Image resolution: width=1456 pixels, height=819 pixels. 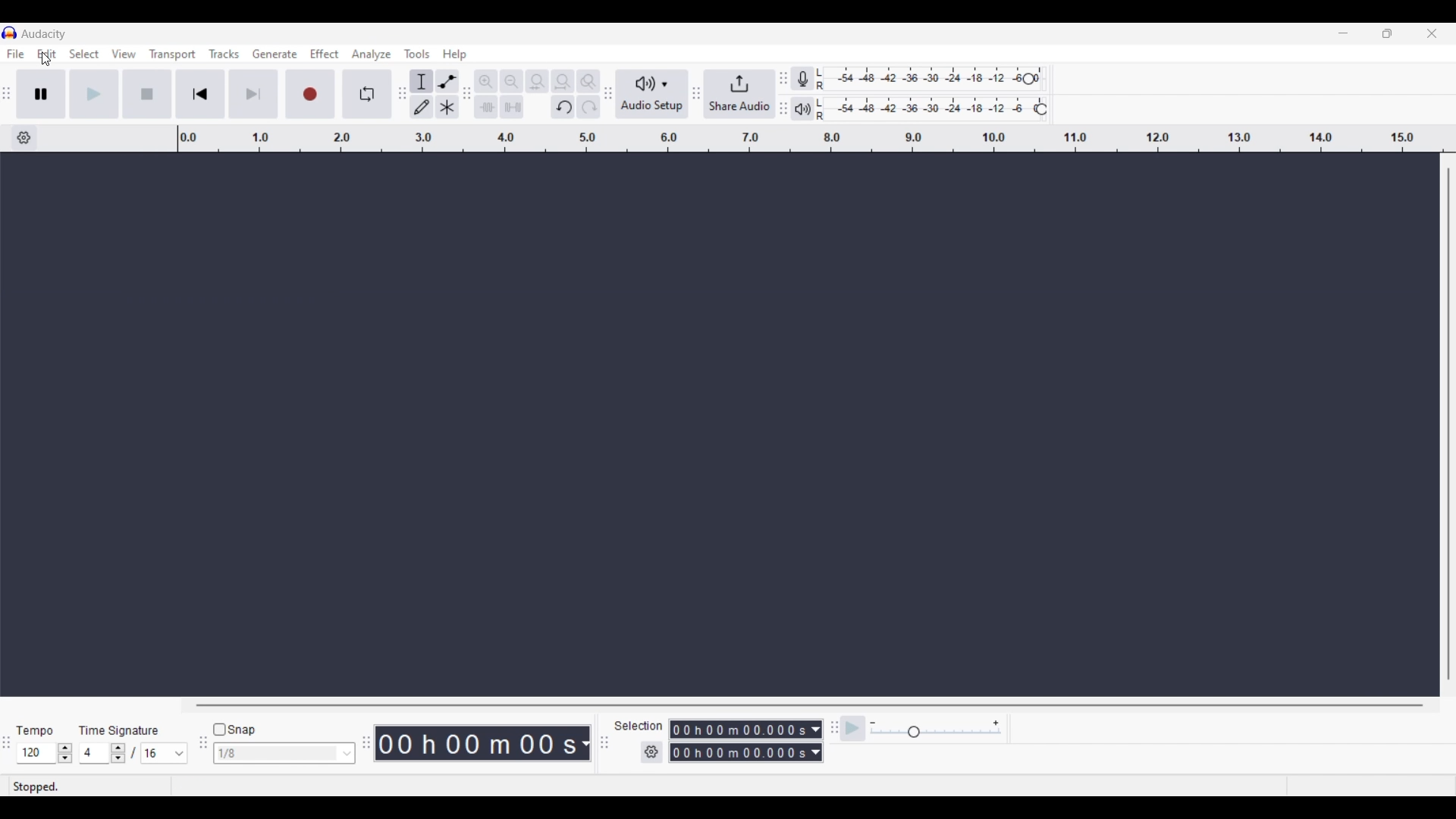 I want to click on Envelop tool, so click(x=447, y=81).